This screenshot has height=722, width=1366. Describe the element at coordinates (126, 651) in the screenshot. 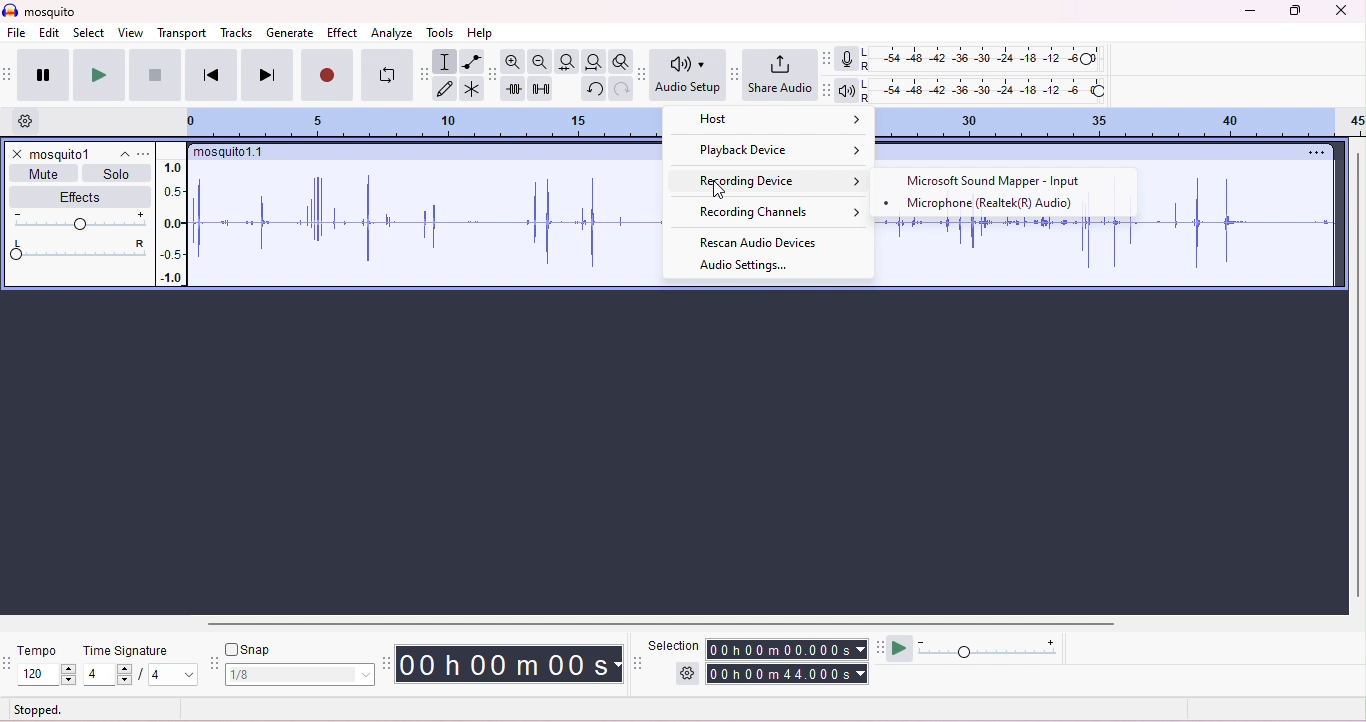

I see `time signature` at that location.